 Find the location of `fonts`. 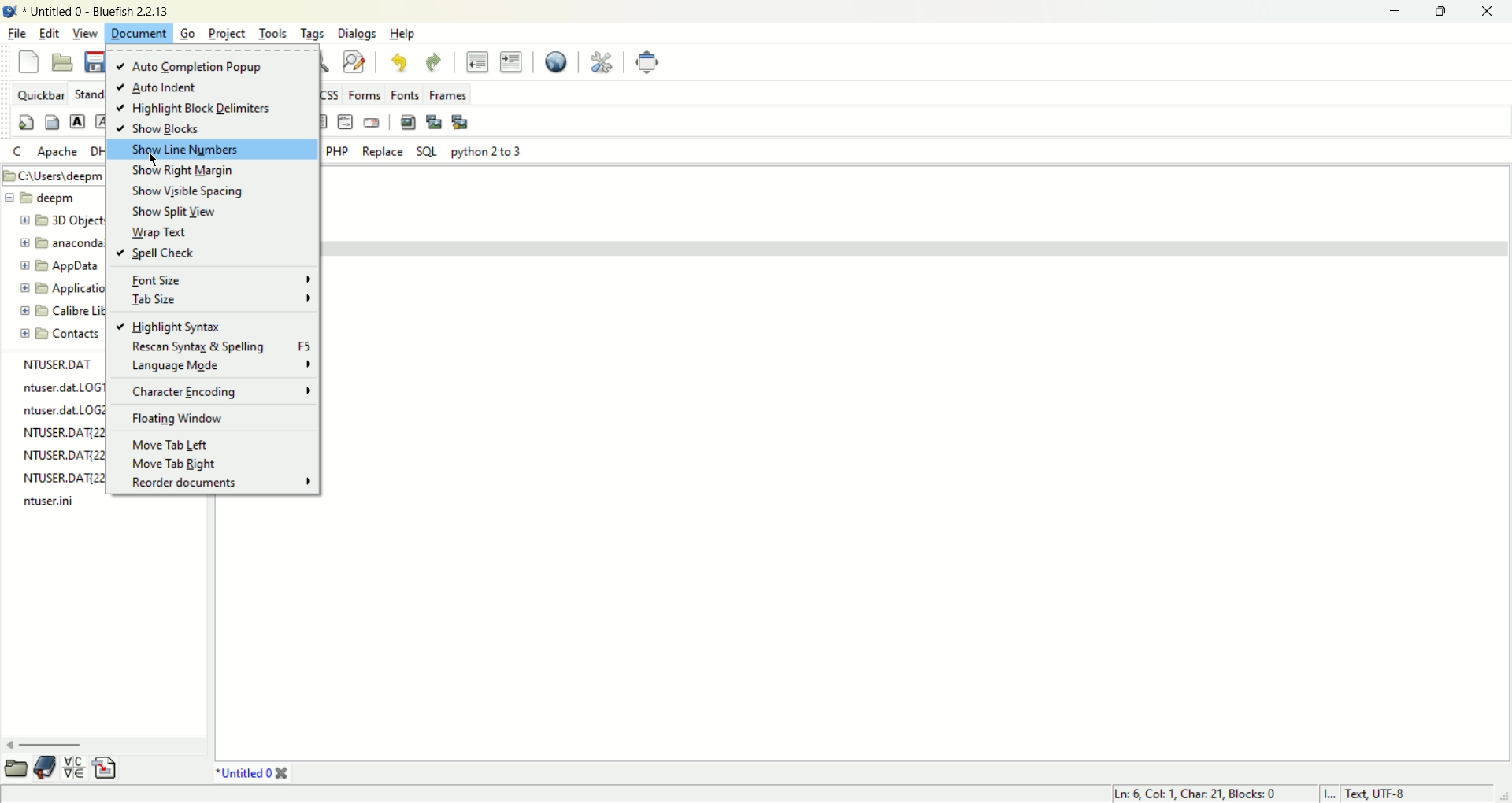

fonts is located at coordinates (405, 94).